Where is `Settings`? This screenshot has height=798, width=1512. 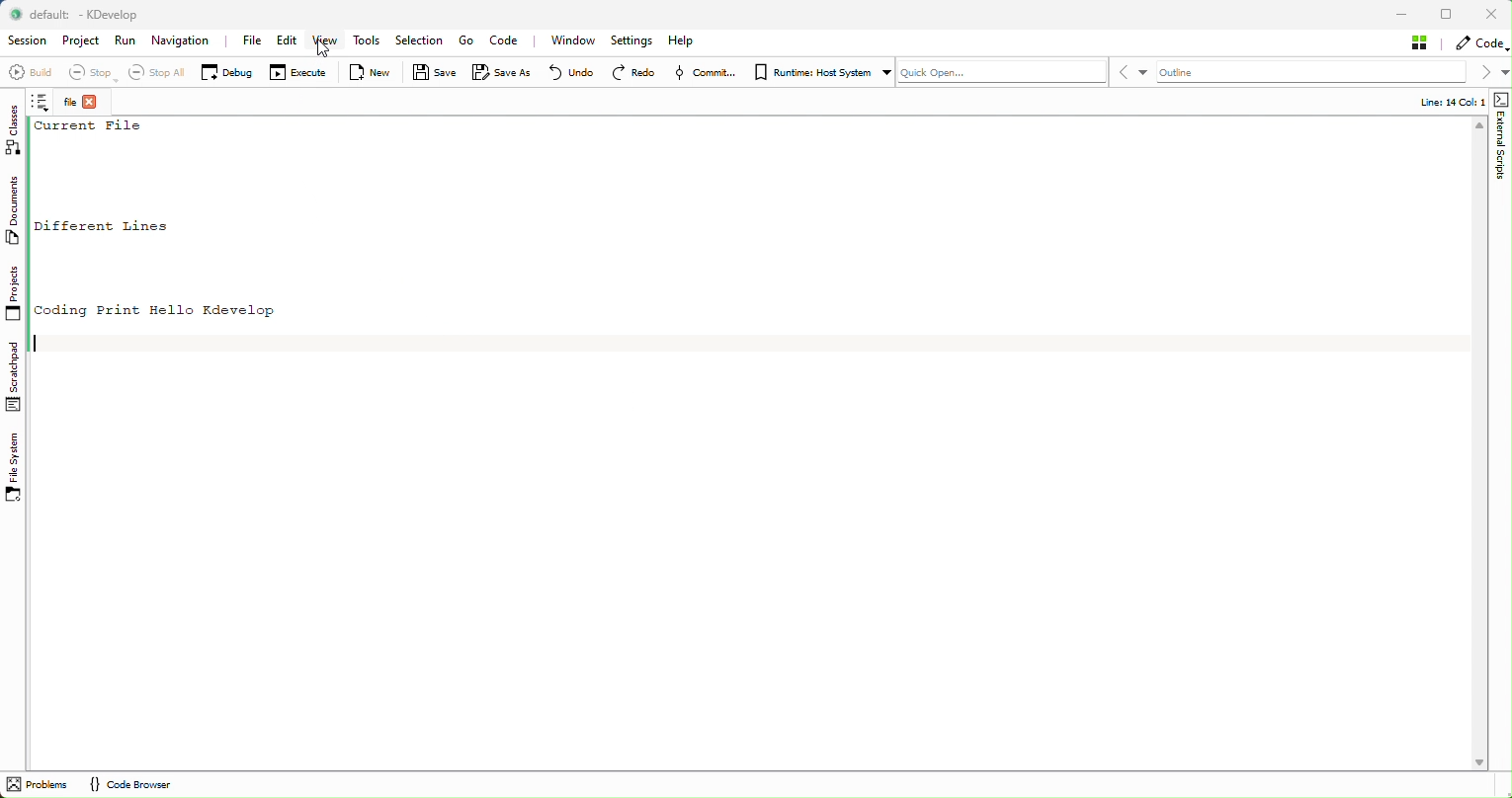
Settings is located at coordinates (632, 41).